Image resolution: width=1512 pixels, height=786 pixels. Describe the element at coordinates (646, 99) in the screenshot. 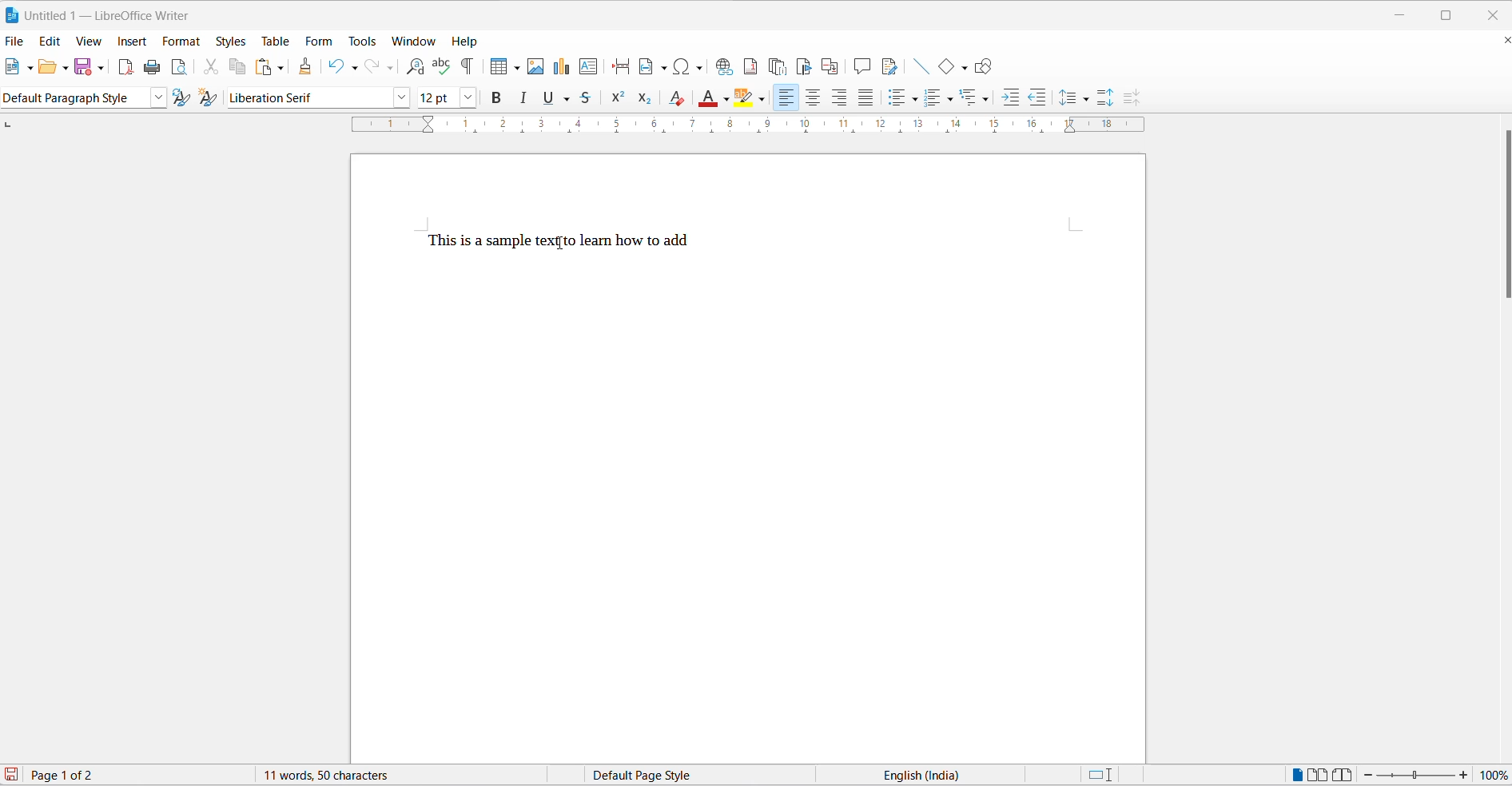

I see `subscript` at that location.